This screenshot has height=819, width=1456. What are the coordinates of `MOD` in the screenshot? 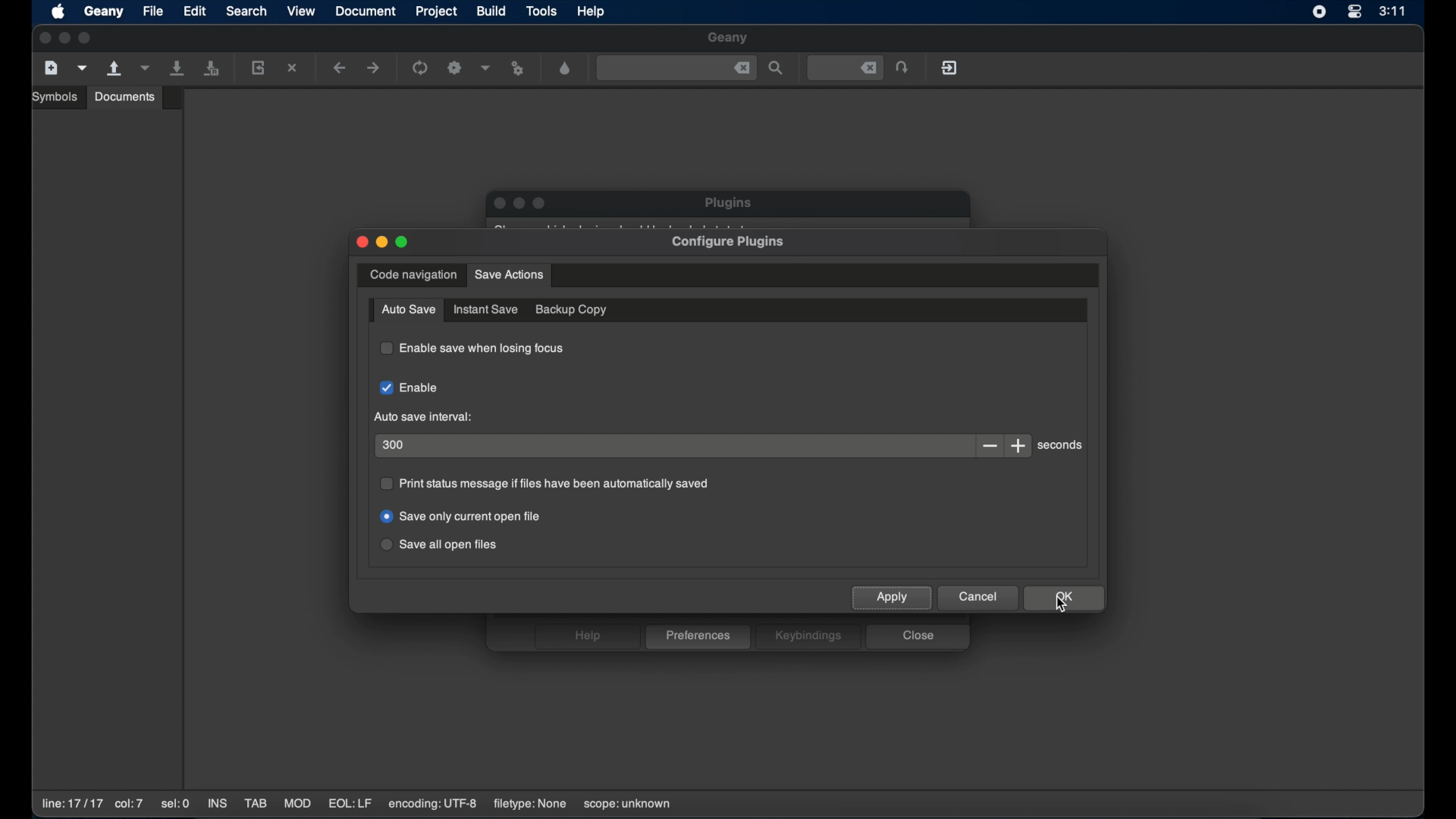 It's located at (297, 804).